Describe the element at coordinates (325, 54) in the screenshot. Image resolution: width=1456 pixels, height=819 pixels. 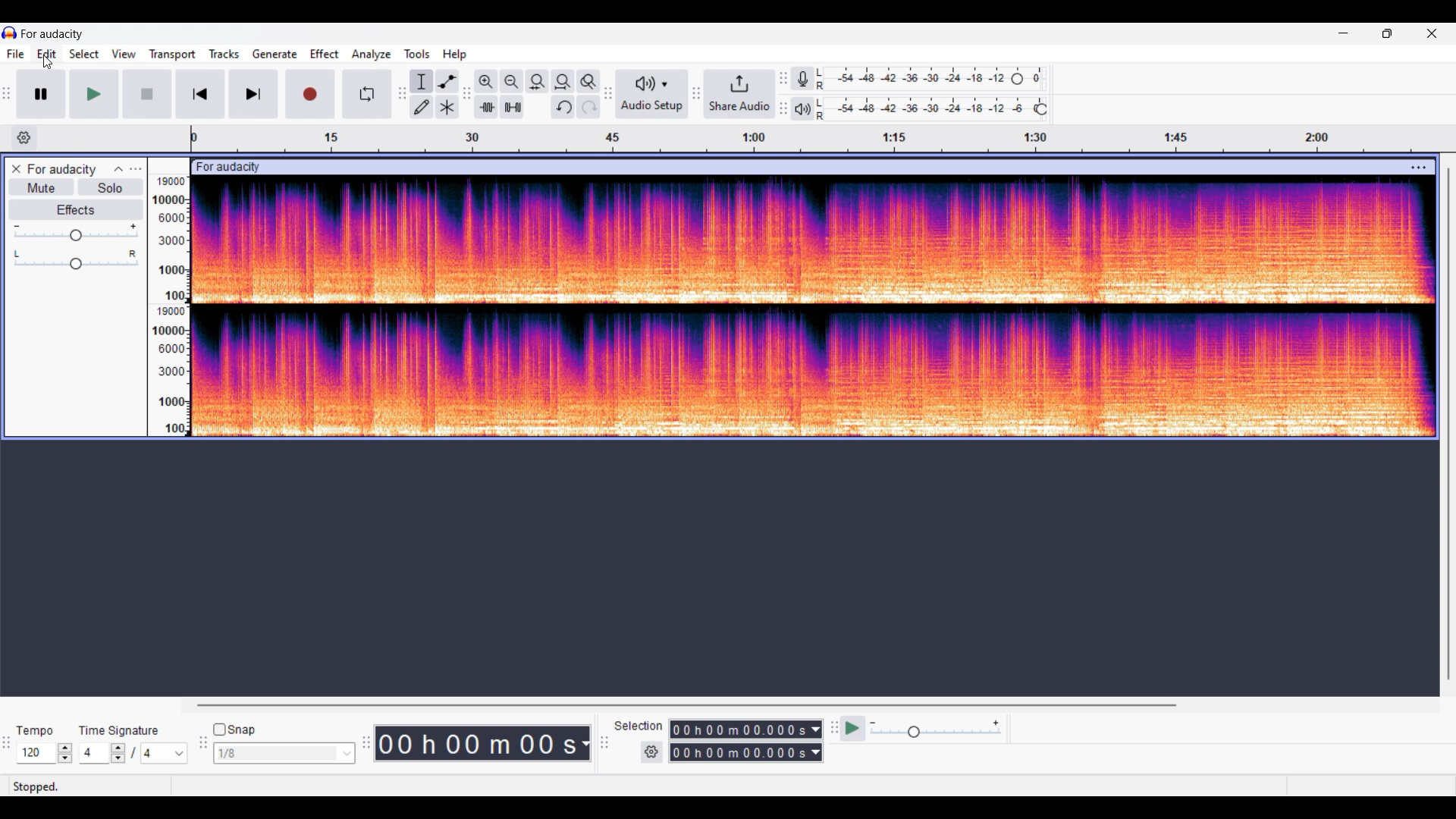
I see `Effect menu` at that location.